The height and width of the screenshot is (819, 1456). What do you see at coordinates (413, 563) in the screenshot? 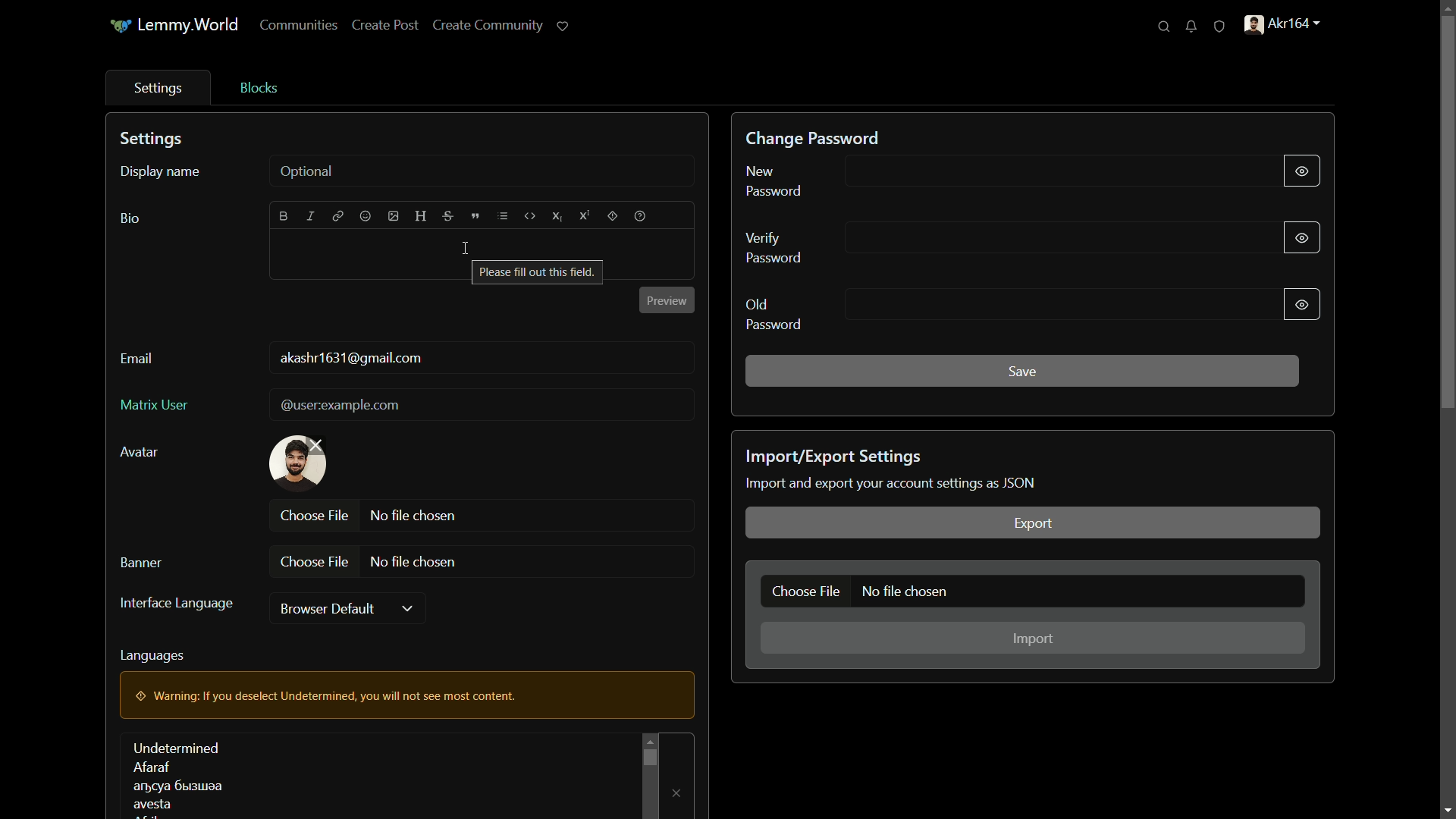
I see `no file chosen` at bounding box center [413, 563].